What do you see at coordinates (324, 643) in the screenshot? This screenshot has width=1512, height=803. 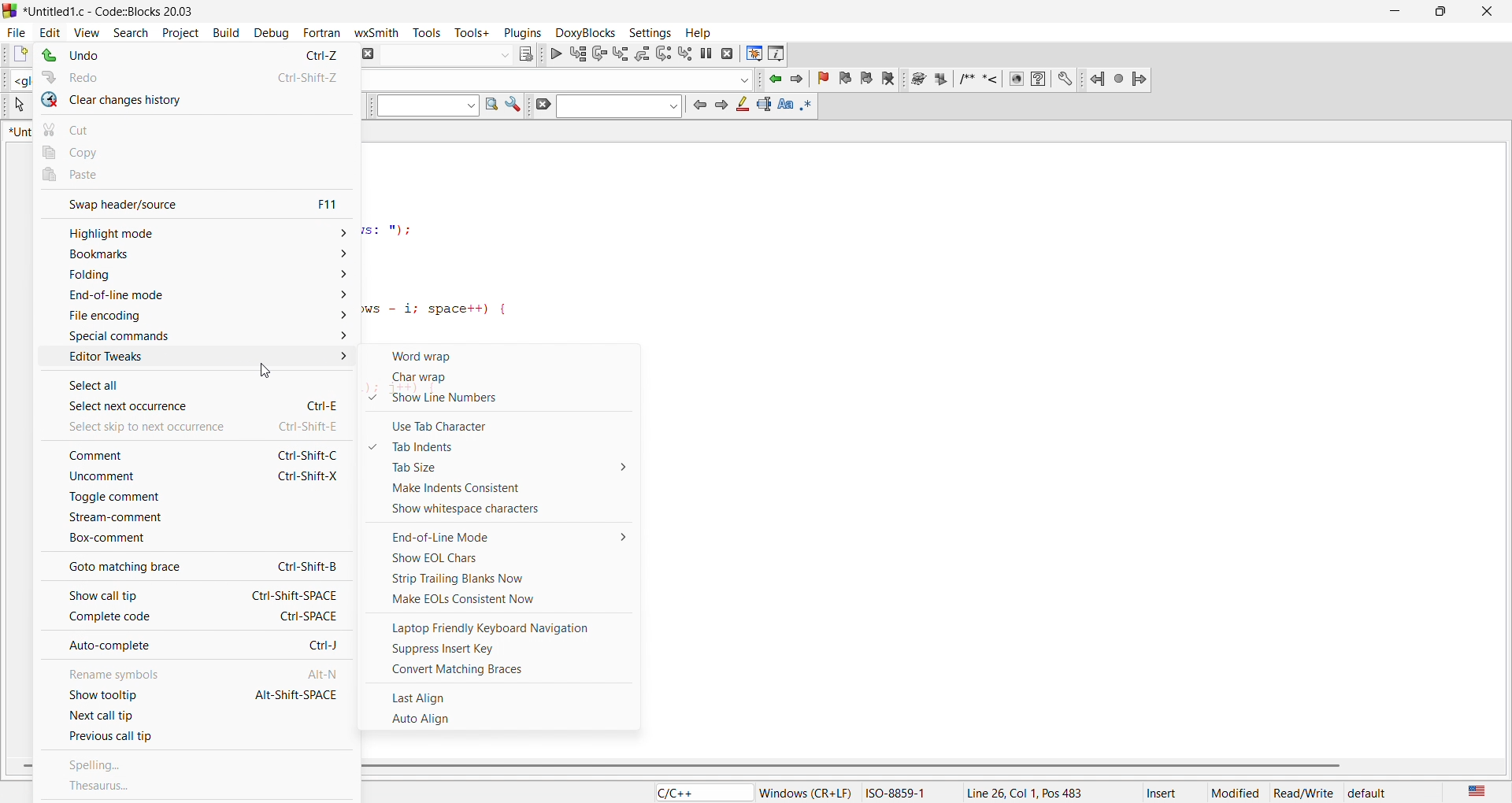 I see `Ctrl-j` at bounding box center [324, 643].